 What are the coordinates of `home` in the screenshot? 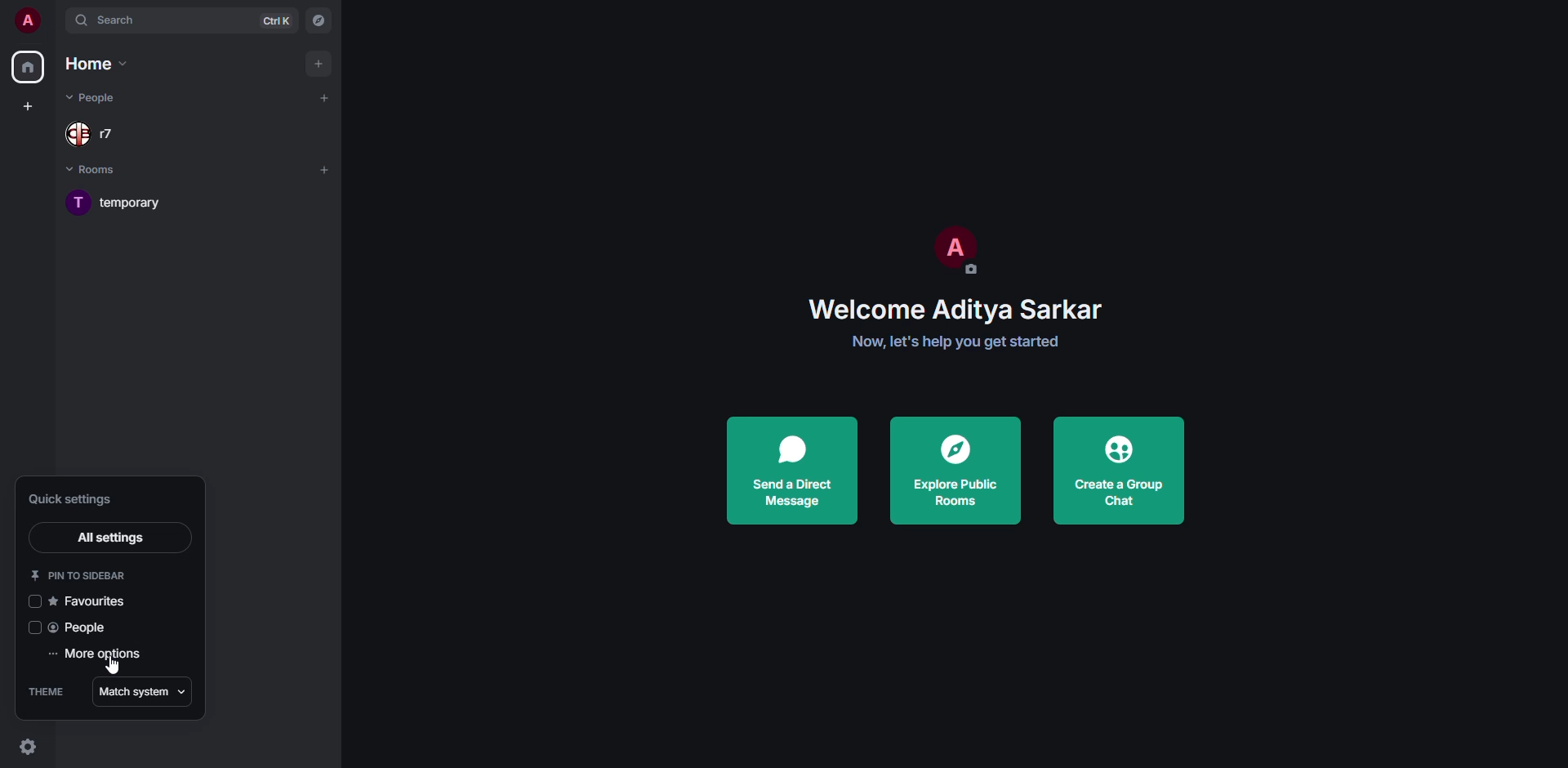 It's located at (99, 64).